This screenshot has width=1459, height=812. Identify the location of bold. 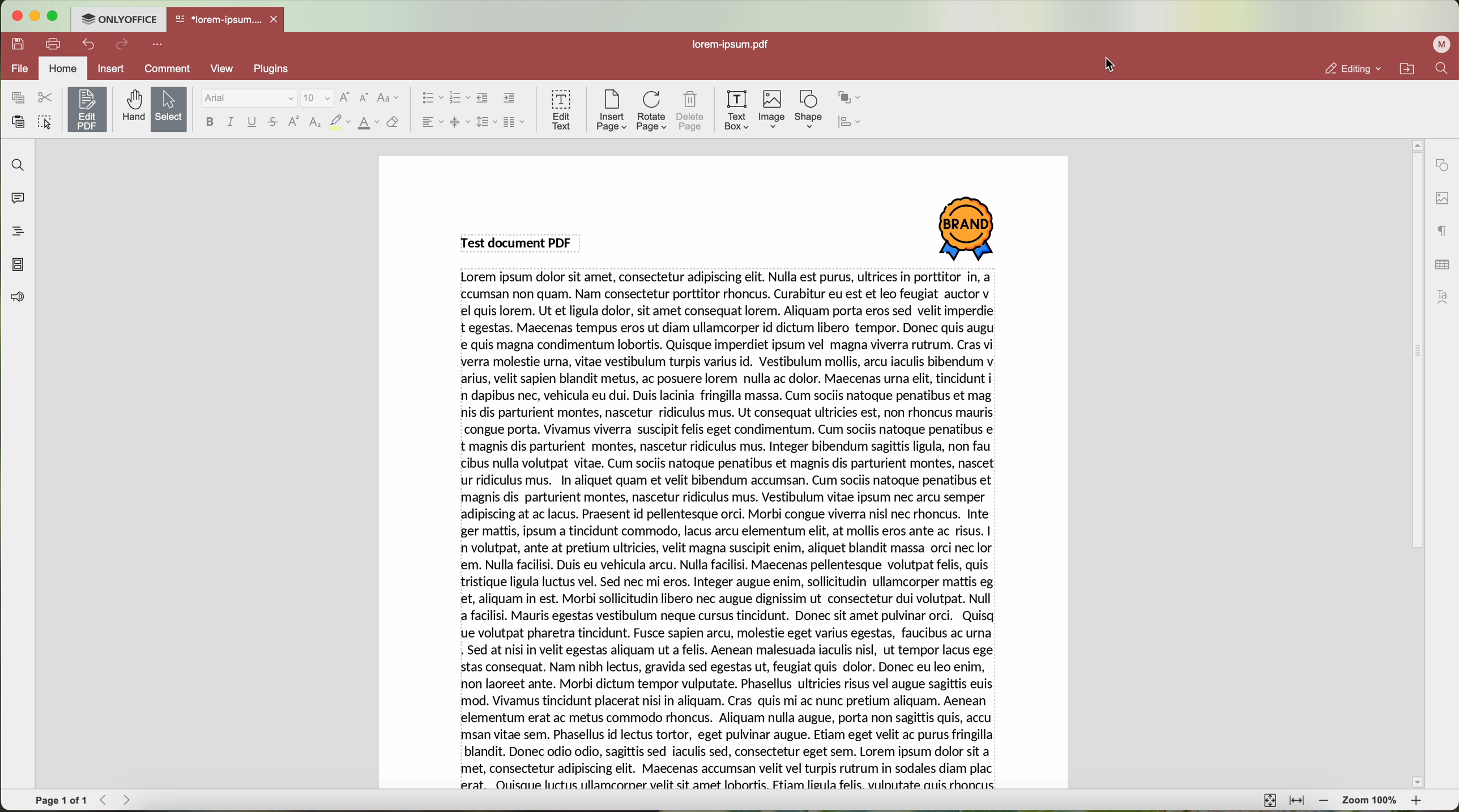
(210, 122).